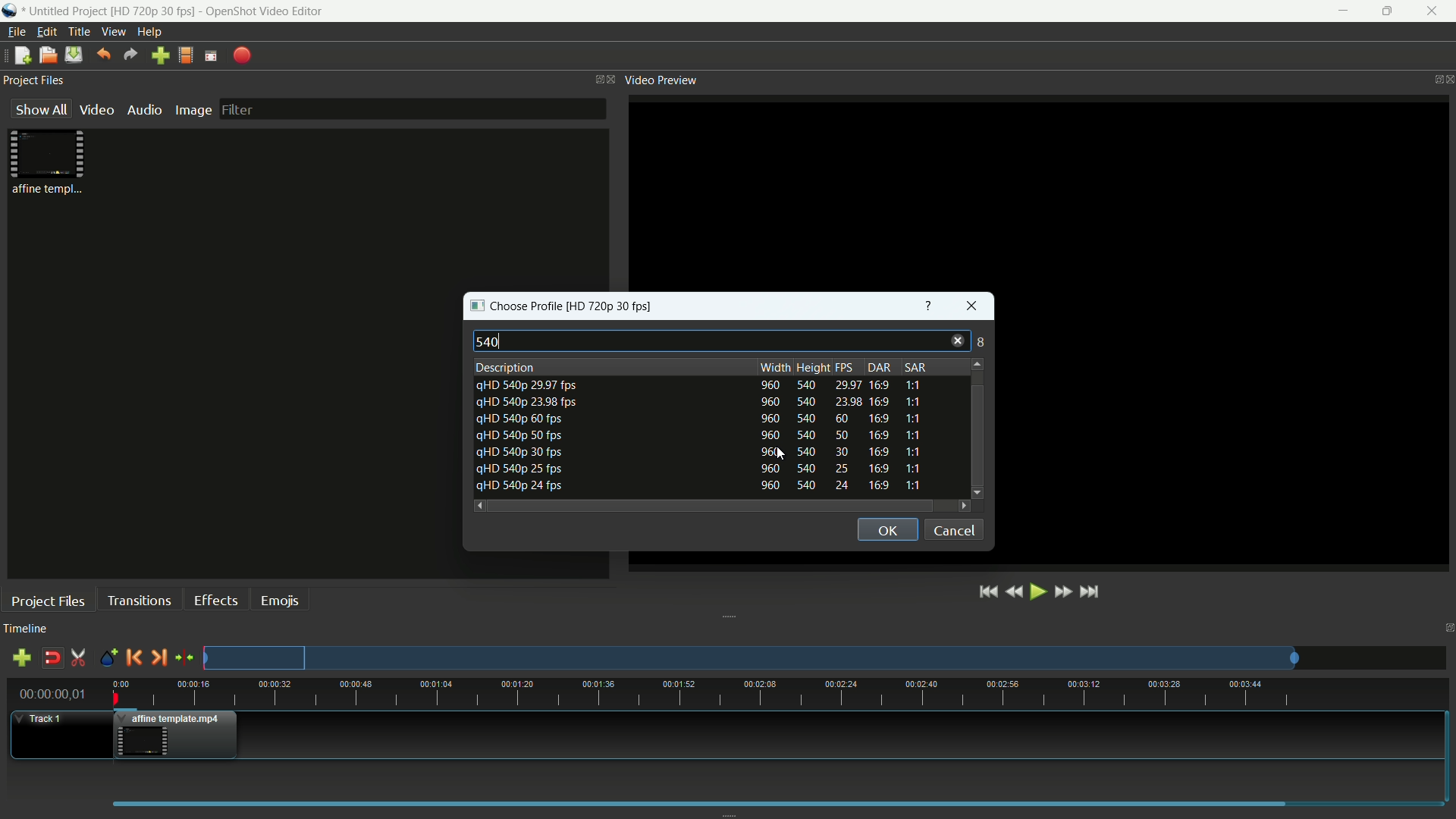 The width and height of the screenshot is (1456, 819). What do you see at coordinates (159, 657) in the screenshot?
I see `next marker` at bounding box center [159, 657].